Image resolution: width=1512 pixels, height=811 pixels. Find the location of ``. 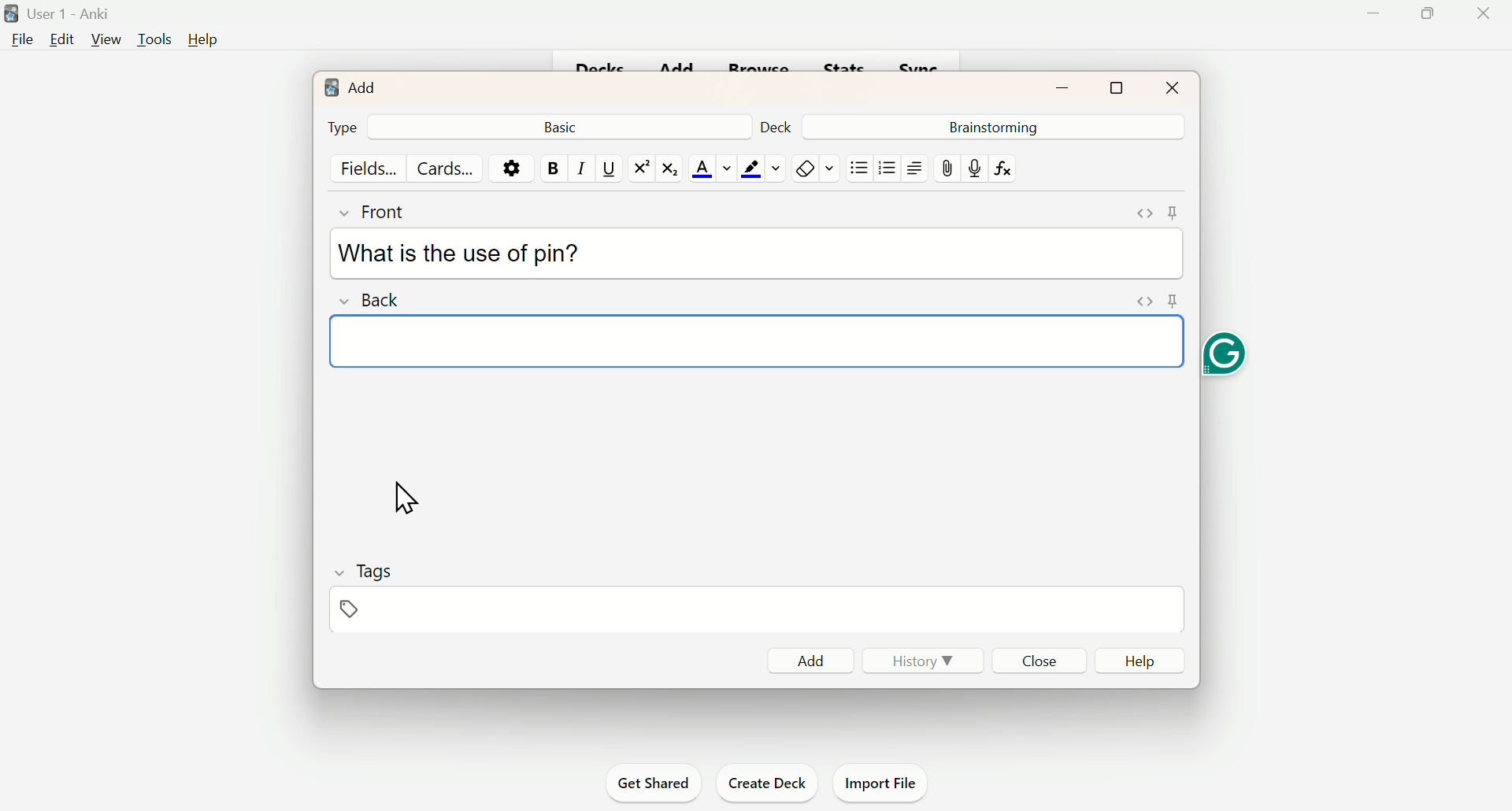

 is located at coordinates (207, 39).